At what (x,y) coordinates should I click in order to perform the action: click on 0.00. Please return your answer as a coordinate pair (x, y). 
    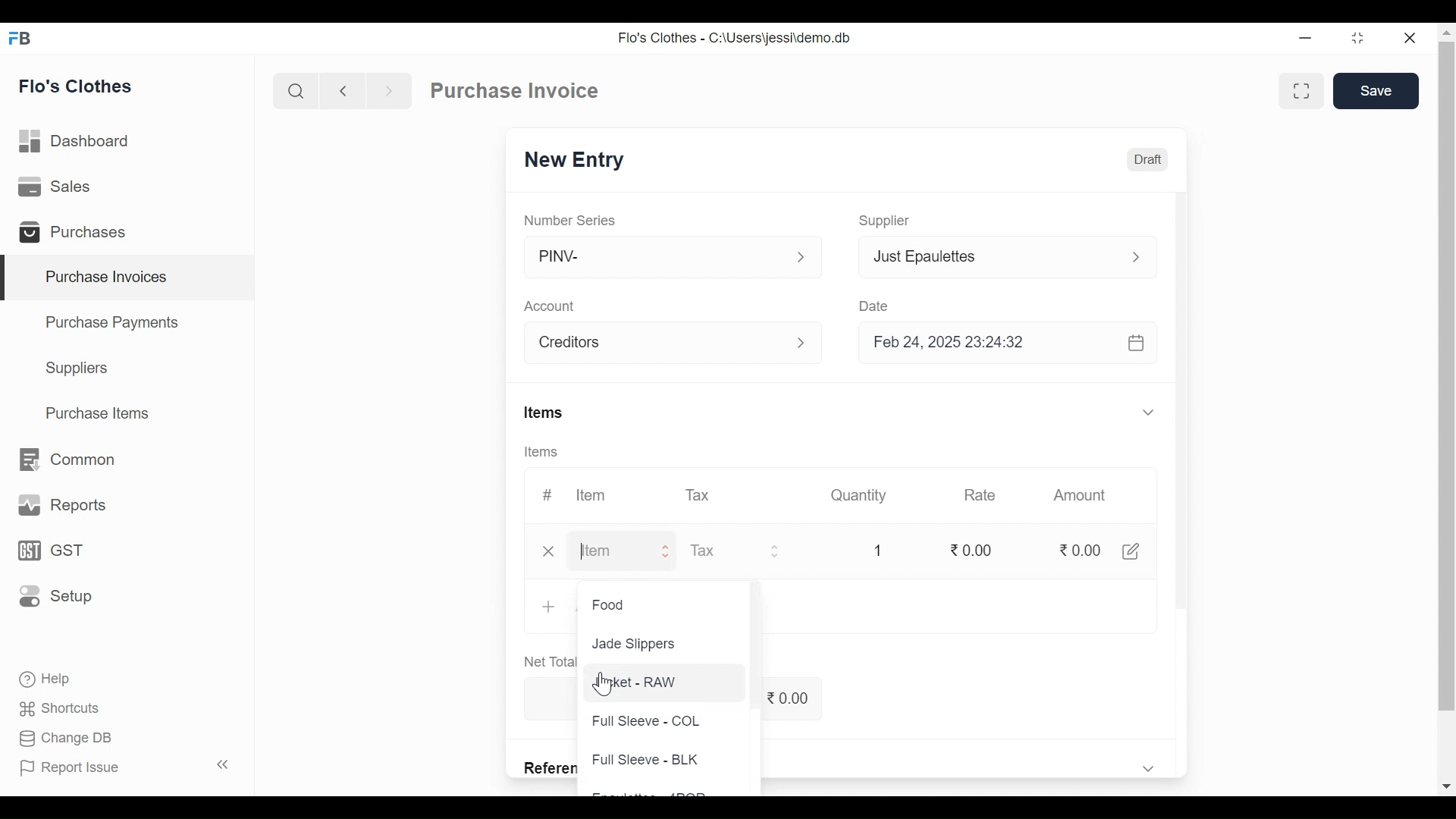
    Looking at the image, I should click on (977, 549).